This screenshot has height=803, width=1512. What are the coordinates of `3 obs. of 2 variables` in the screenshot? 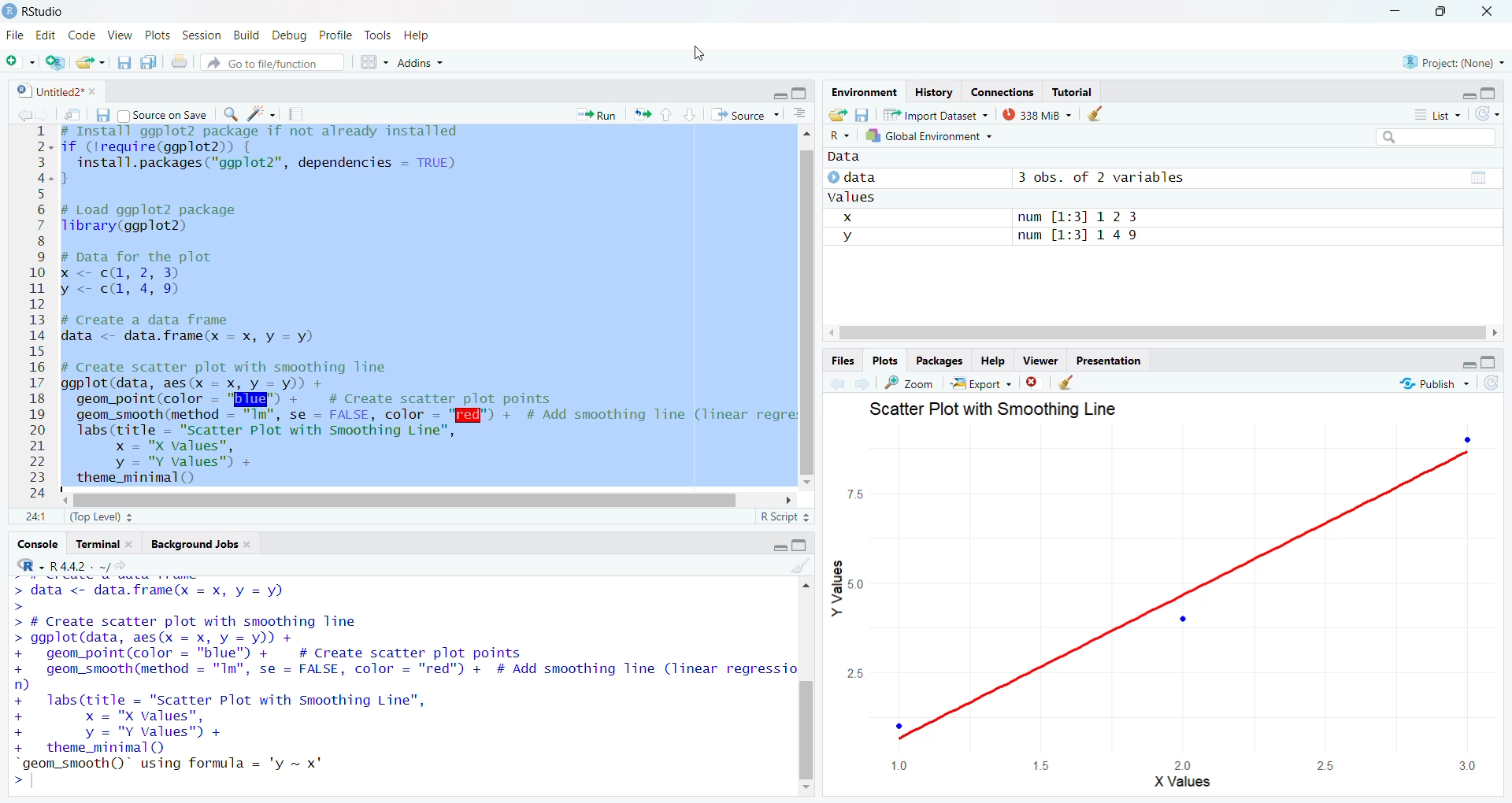 It's located at (1099, 176).